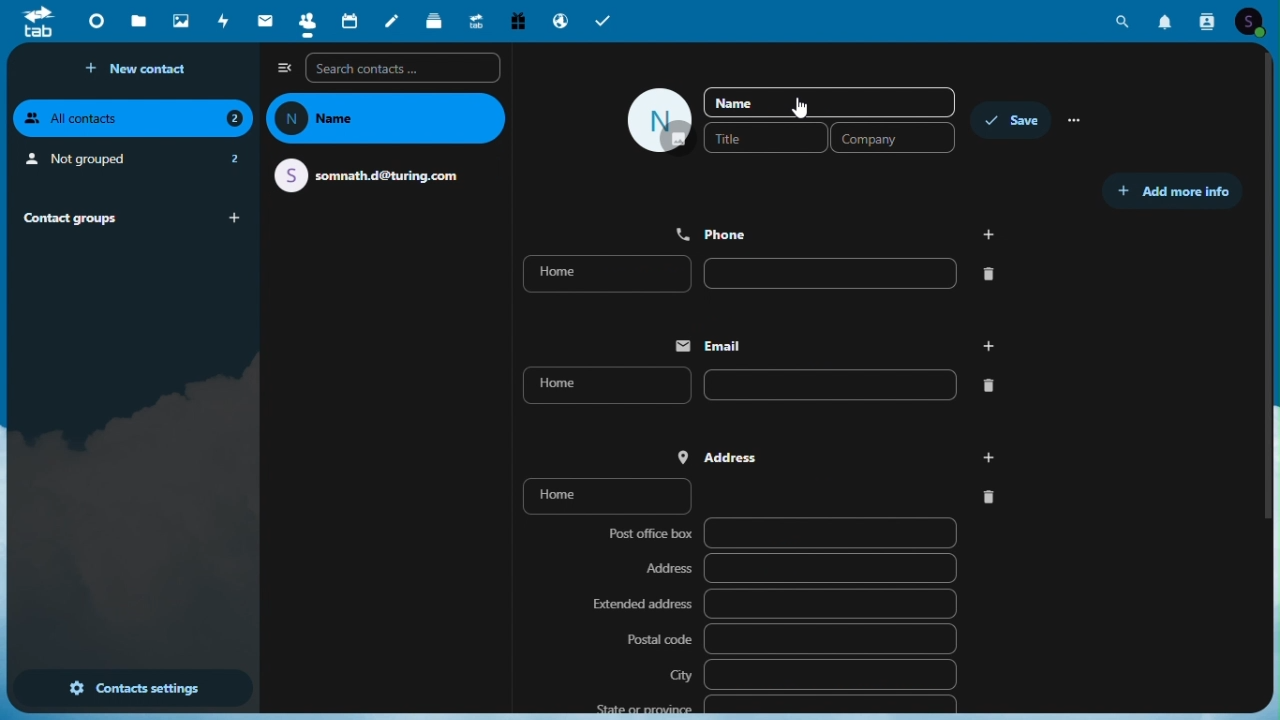 The height and width of the screenshot is (720, 1280). What do you see at coordinates (790, 638) in the screenshot?
I see `Postal code` at bounding box center [790, 638].